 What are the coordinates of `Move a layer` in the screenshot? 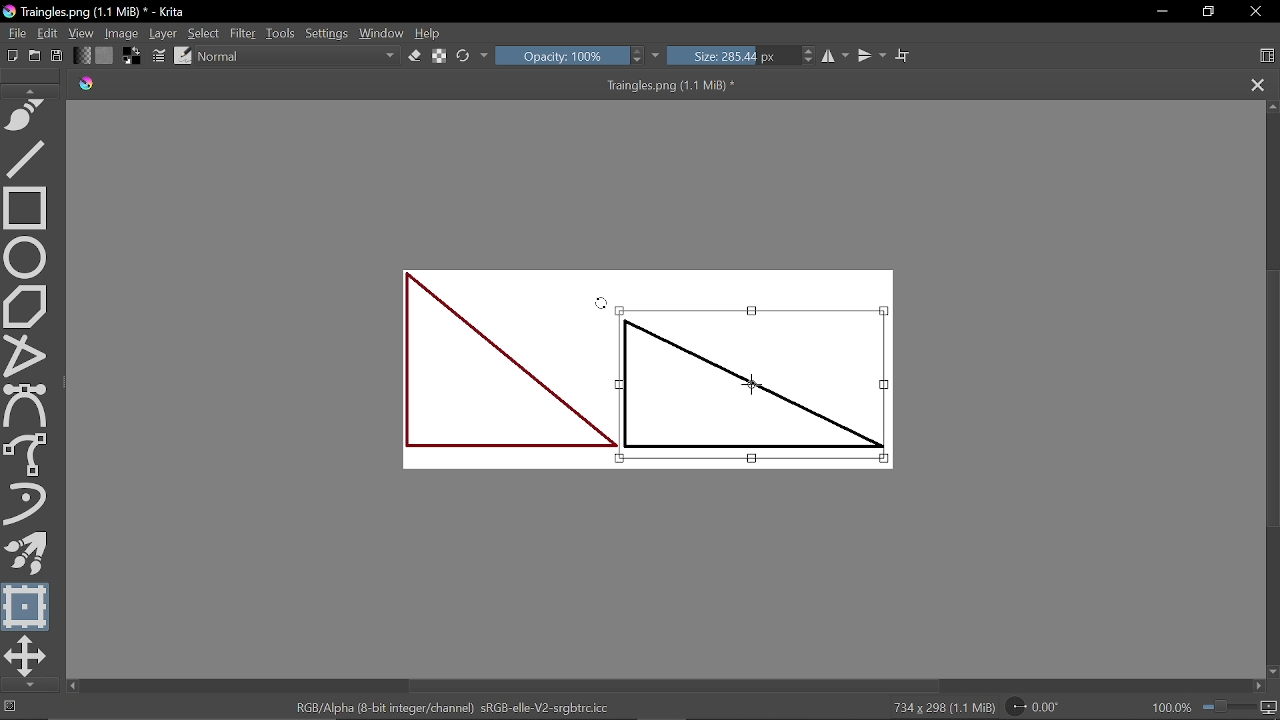 It's located at (26, 656).